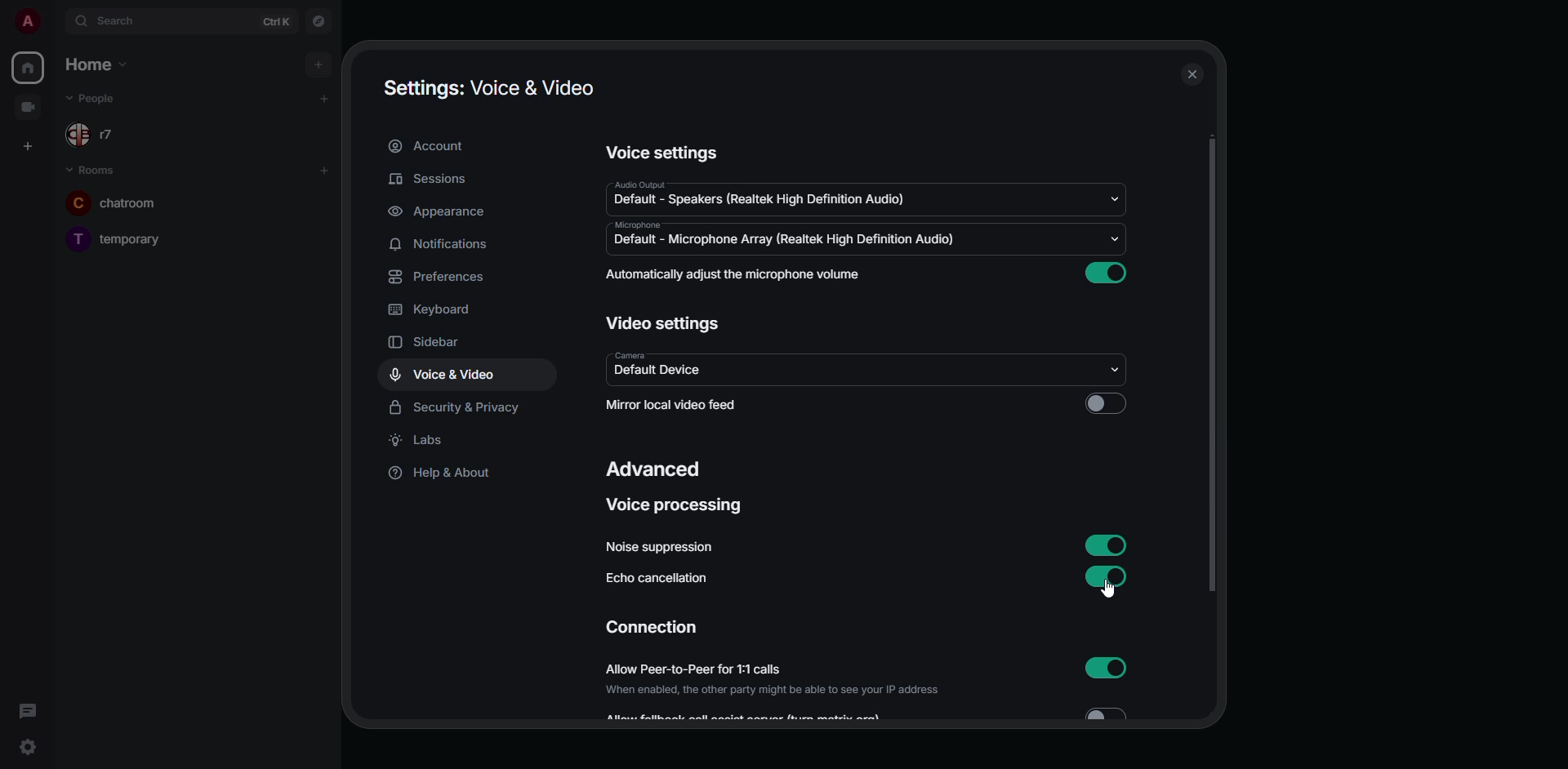 The image size is (1568, 769). Describe the element at coordinates (1110, 271) in the screenshot. I see `enabled` at that location.